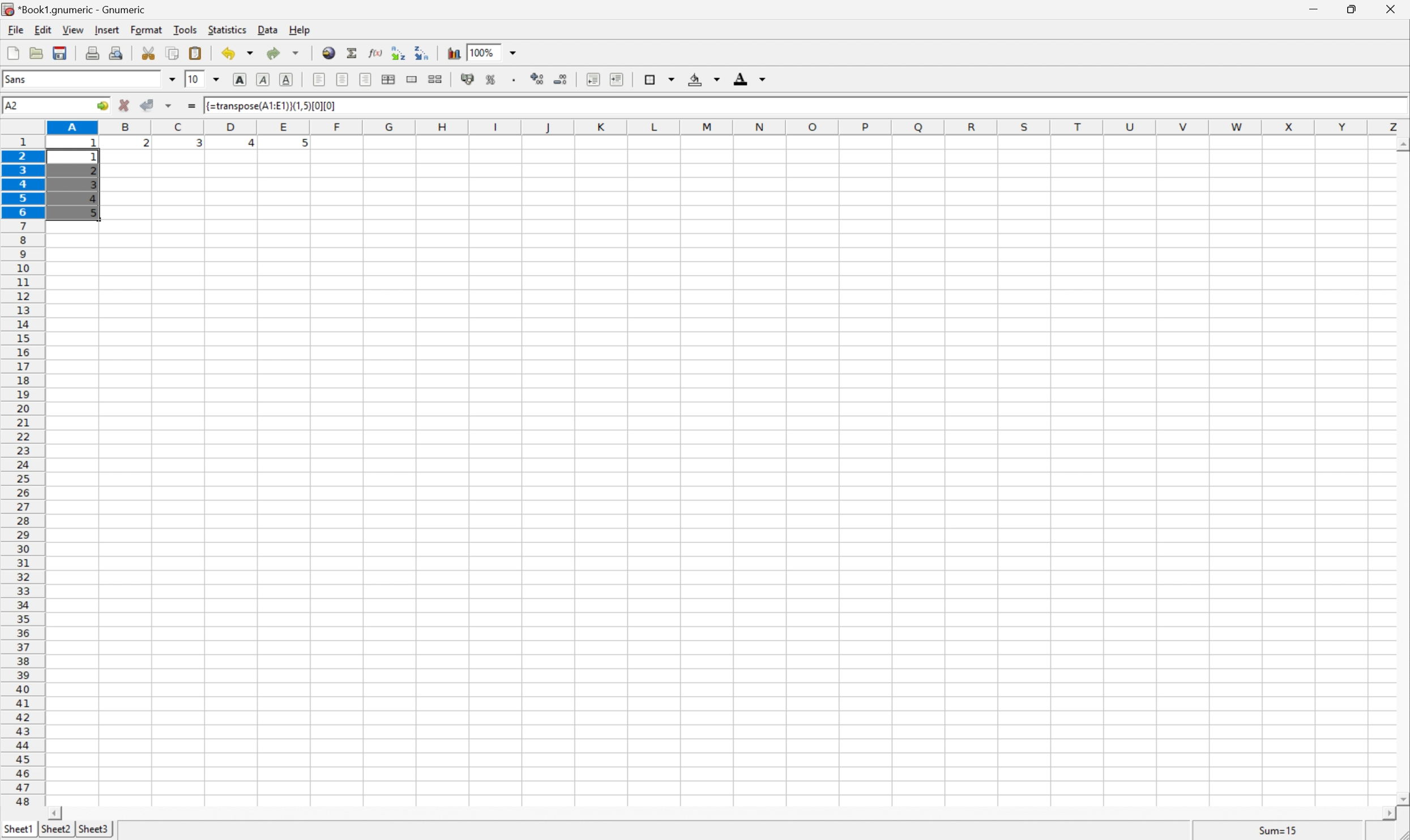 This screenshot has height=840, width=1410. Describe the element at coordinates (57, 832) in the screenshot. I see `sheet2` at that location.